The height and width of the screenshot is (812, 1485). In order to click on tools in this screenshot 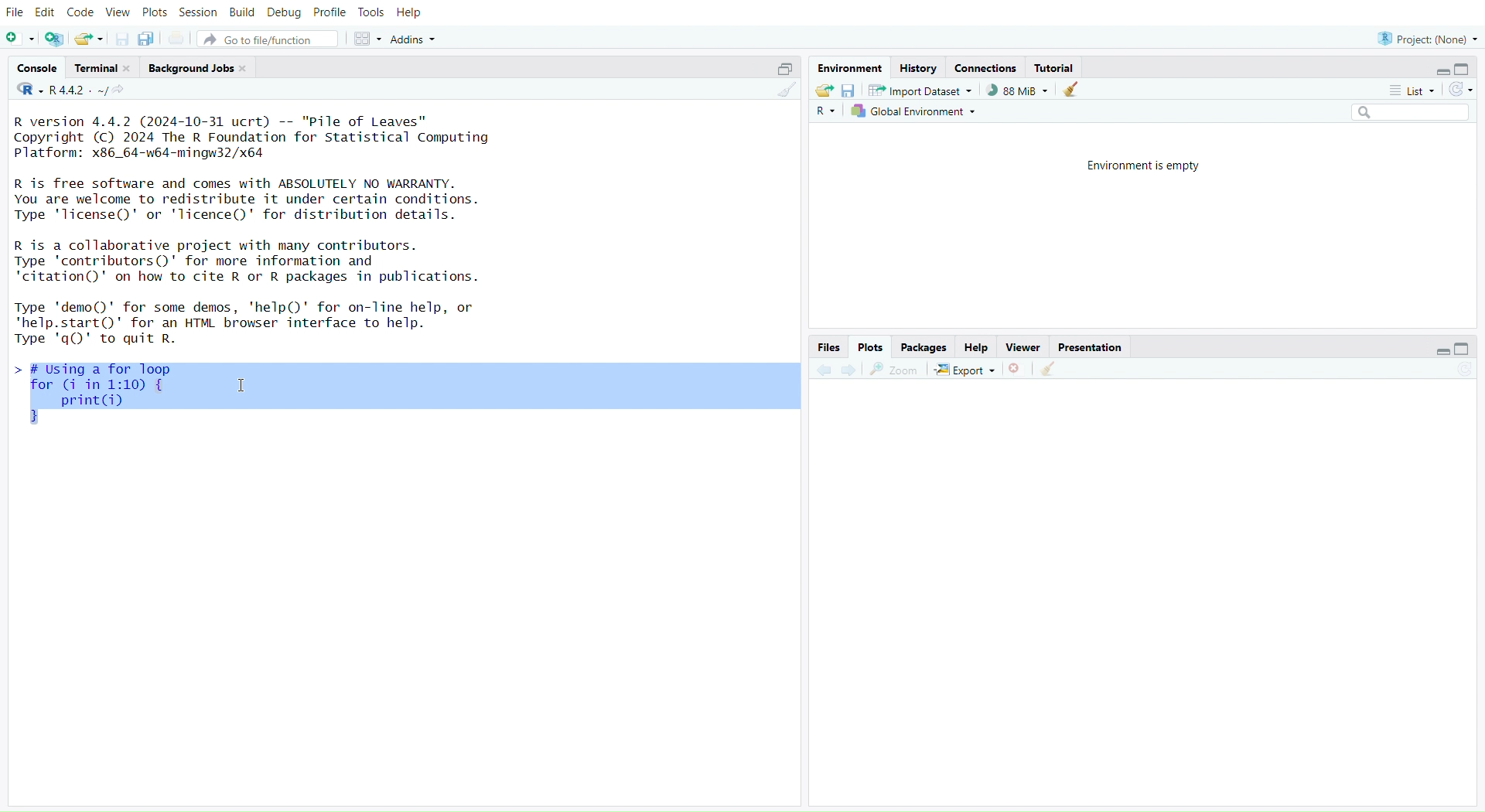, I will do `click(370, 12)`.